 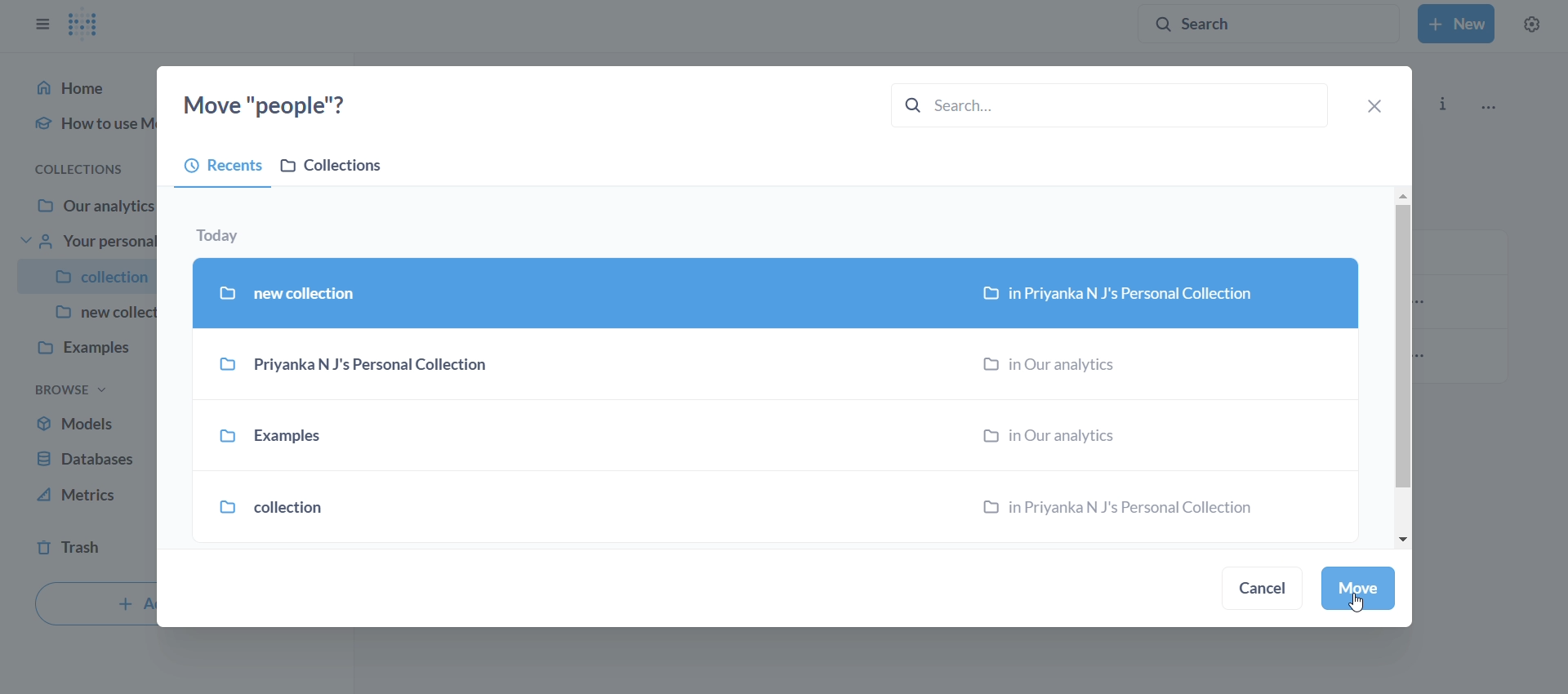 I want to click on collections, so click(x=84, y=169).